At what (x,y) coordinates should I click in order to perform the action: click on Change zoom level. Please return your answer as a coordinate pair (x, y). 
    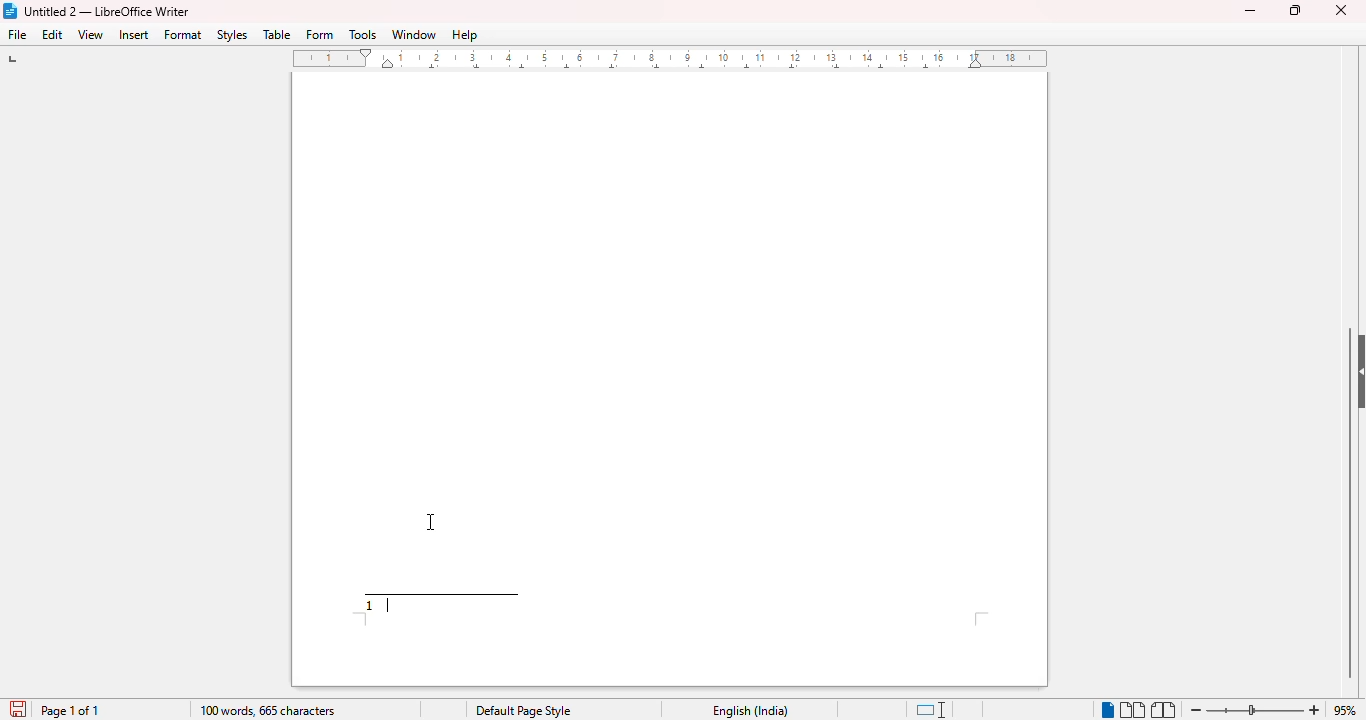
    Looking at the image, I should click on (1257, 707).